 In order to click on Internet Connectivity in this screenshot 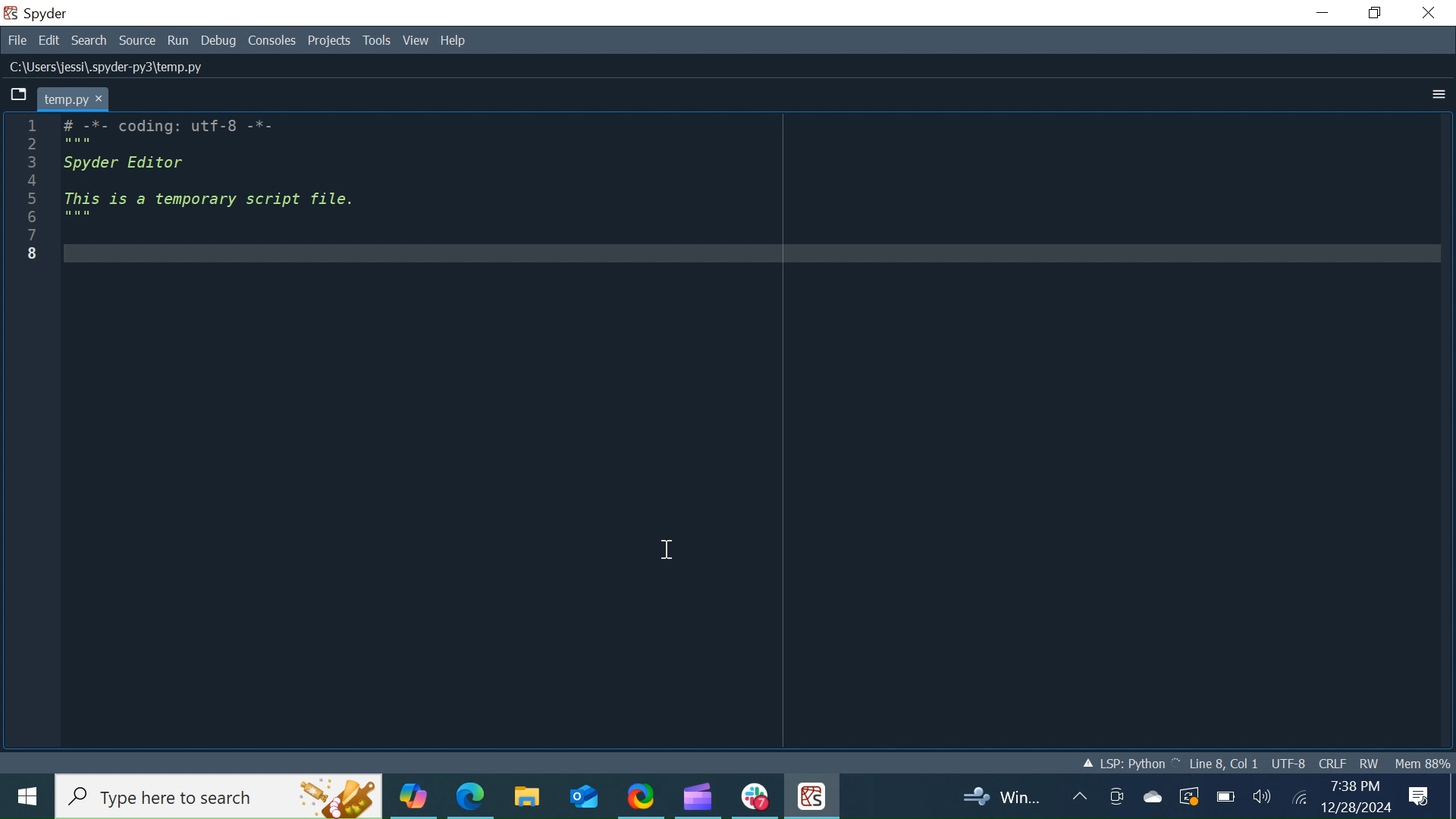, I will do `click(1298, 798)`.